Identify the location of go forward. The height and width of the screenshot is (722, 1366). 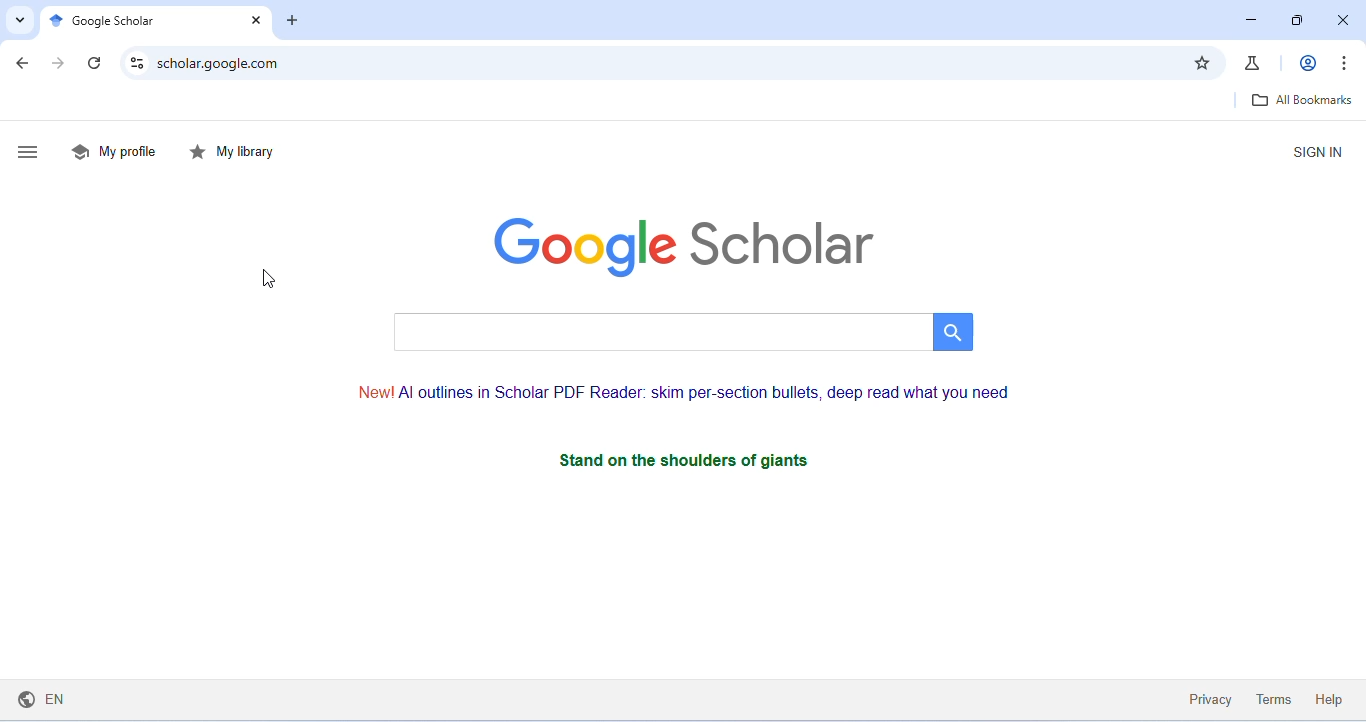
(63, 65).